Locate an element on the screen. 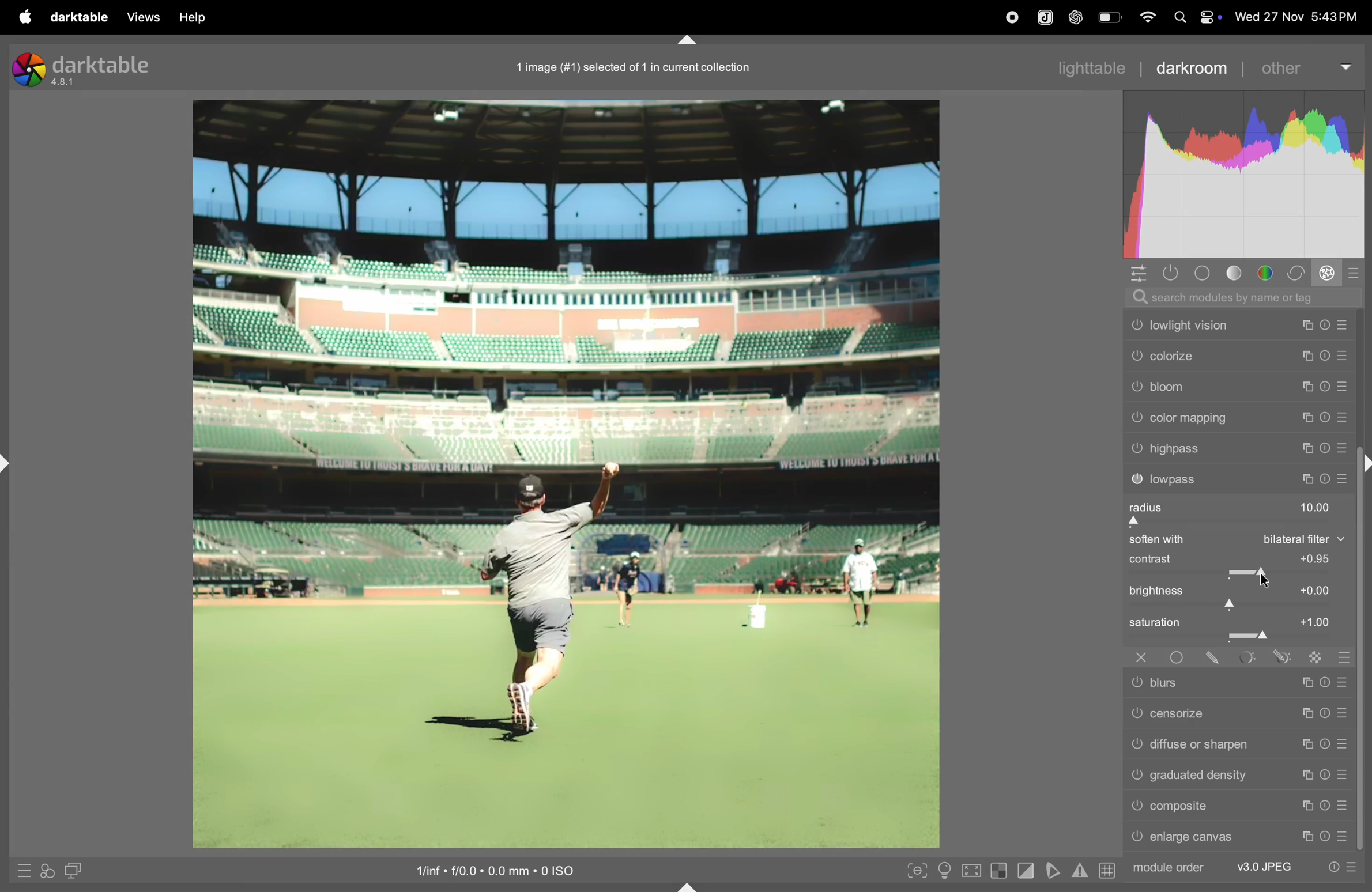 Image resolution: width=1372 pixels, height=892 pixels. blurs is located at coordinates (1237, 684).